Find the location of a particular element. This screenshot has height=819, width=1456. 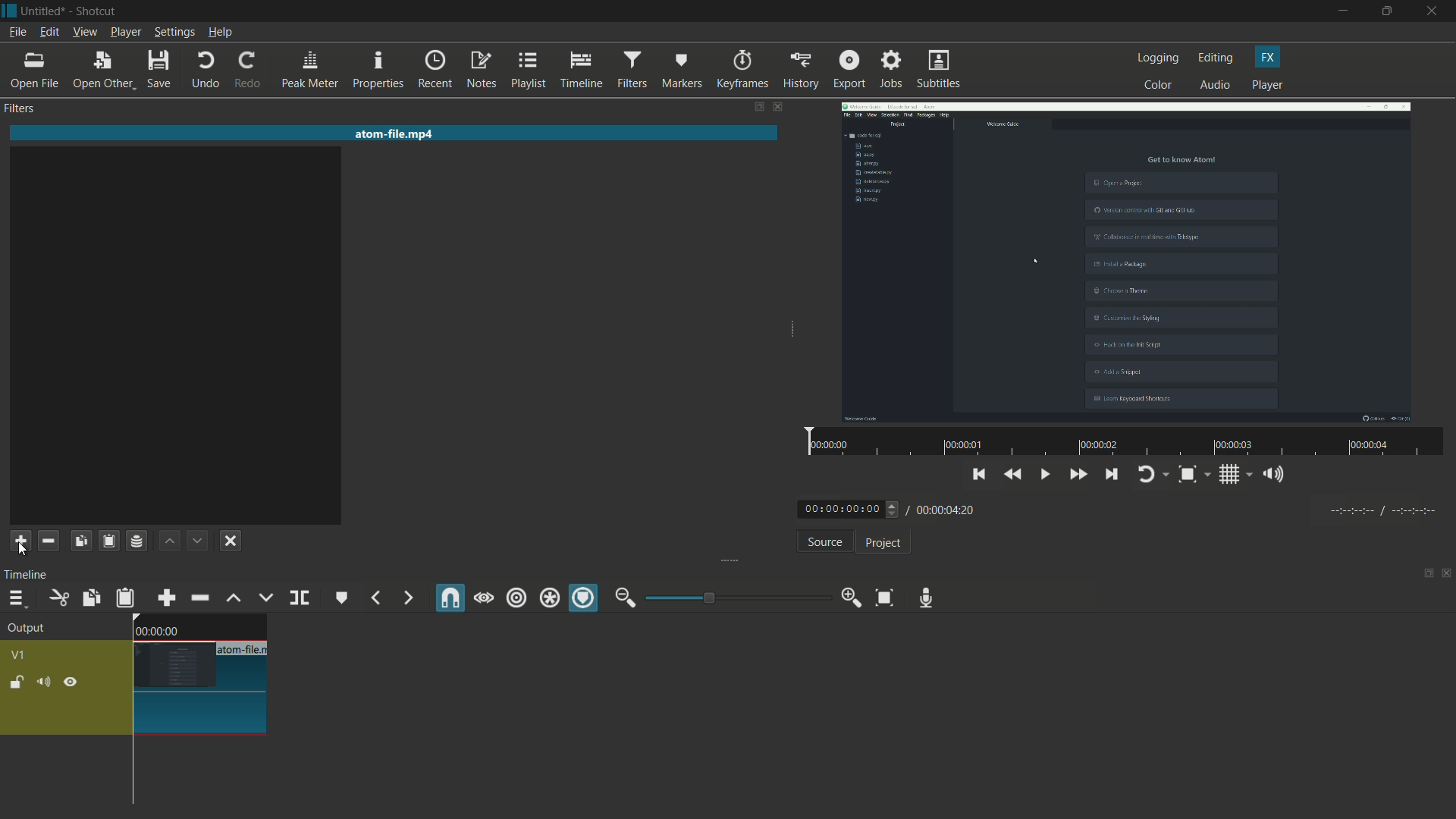

remove selected filter is located at coordinates (49, 541).